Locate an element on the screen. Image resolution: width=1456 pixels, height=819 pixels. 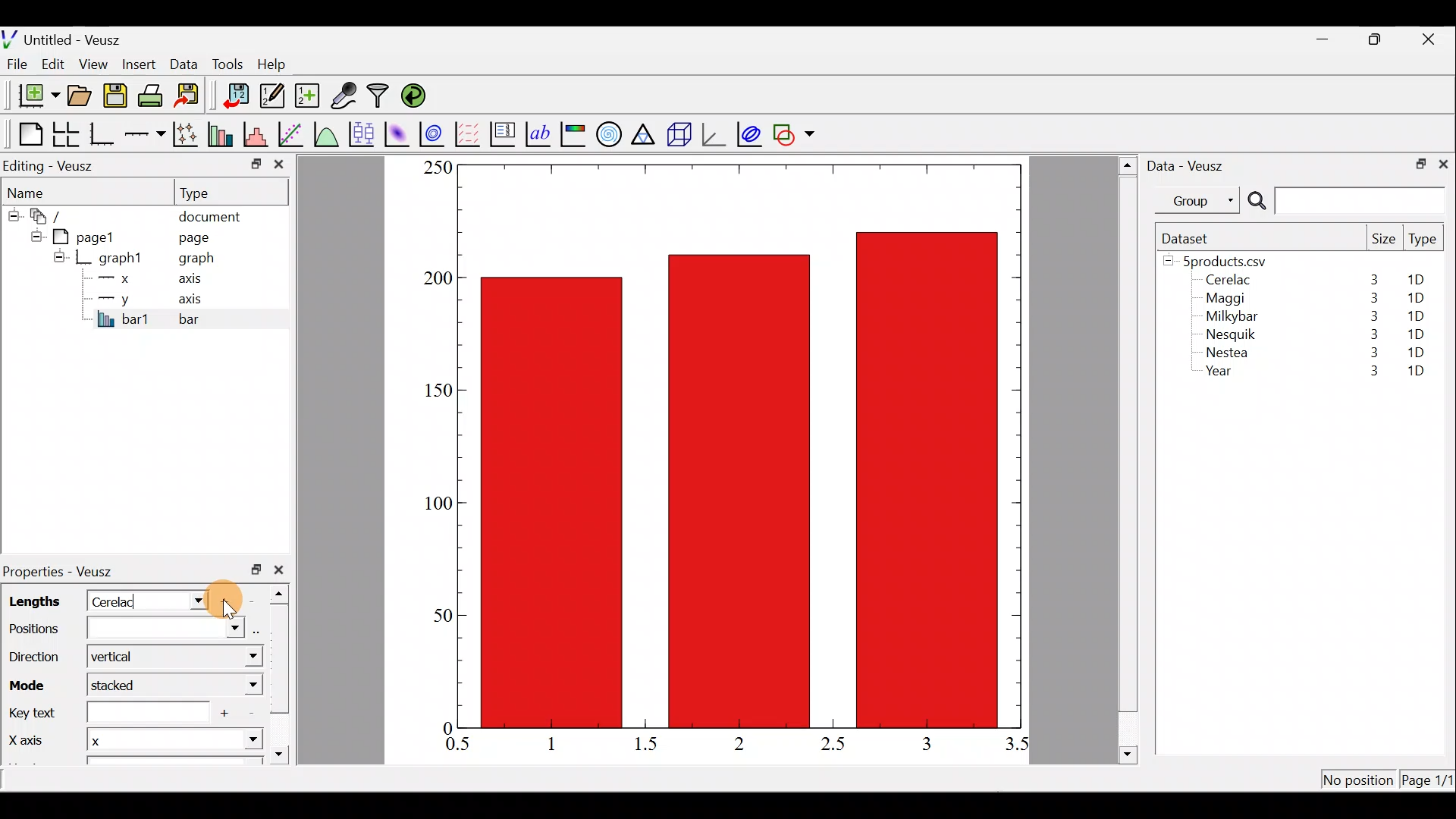
5products.csv is located at coordinates (1223, 260).